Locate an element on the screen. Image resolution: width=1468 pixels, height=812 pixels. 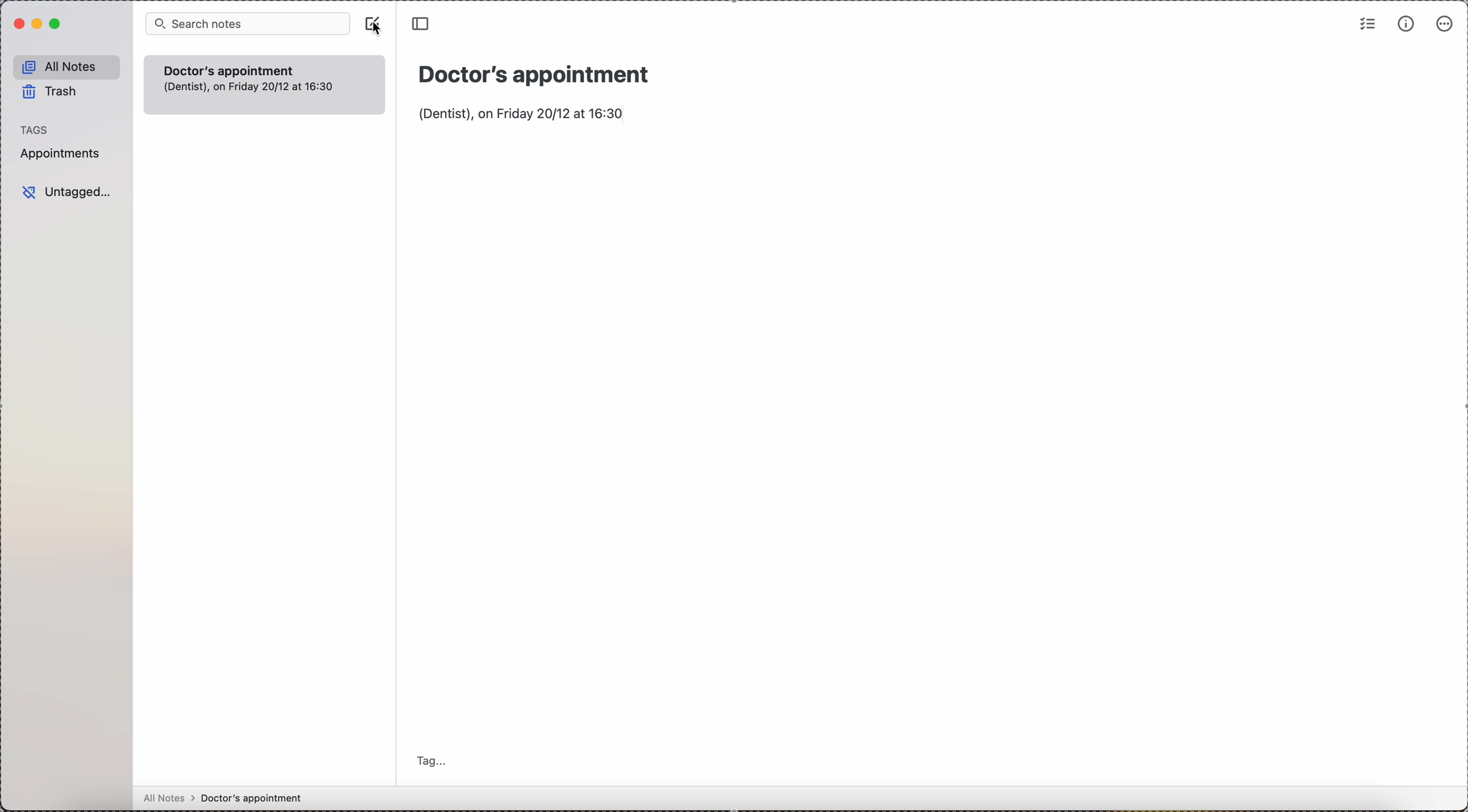
appointments tag is located at coordinates (63, 156).